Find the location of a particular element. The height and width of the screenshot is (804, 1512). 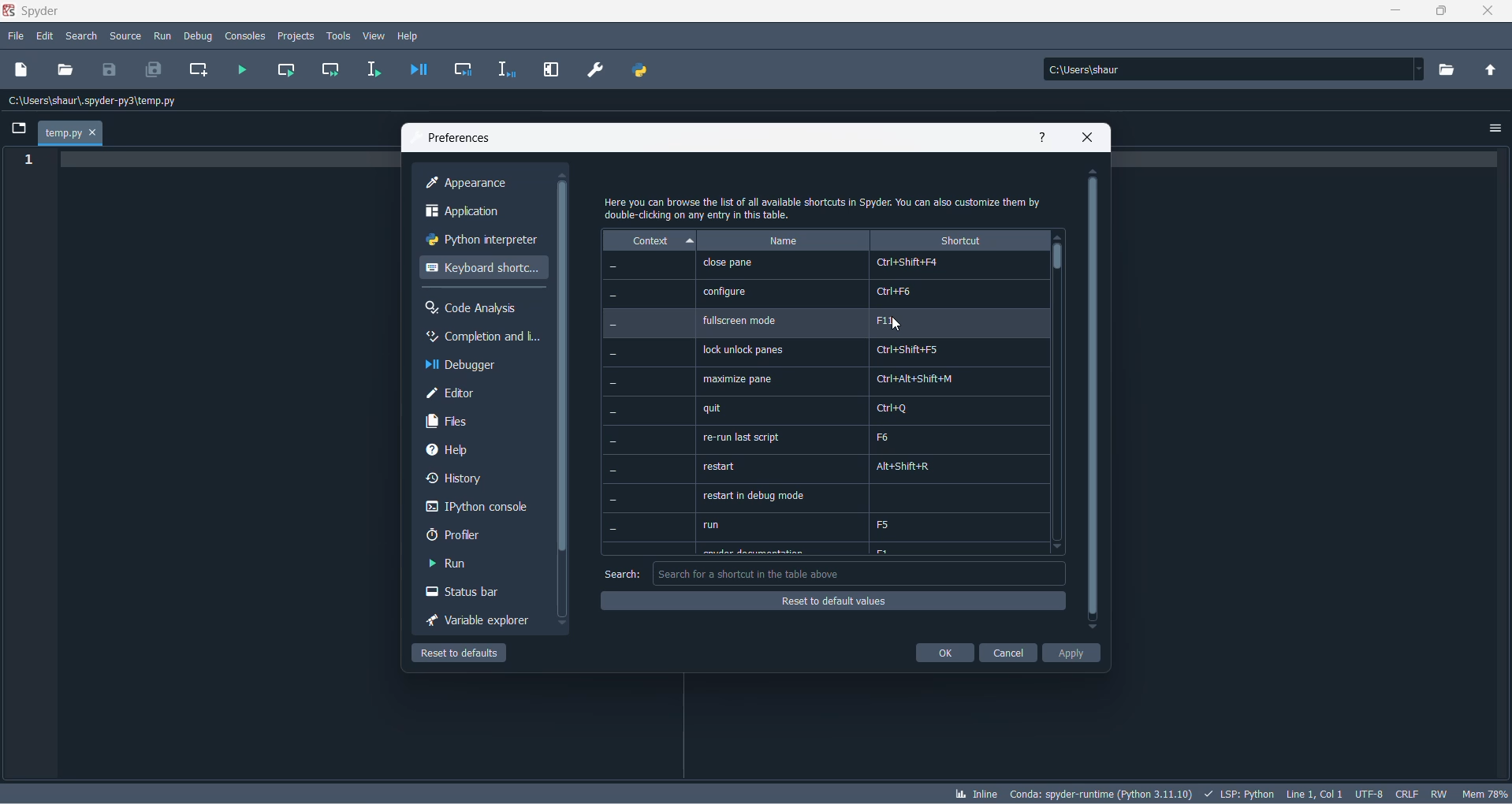

directory is located at coordinates (1451, 70).